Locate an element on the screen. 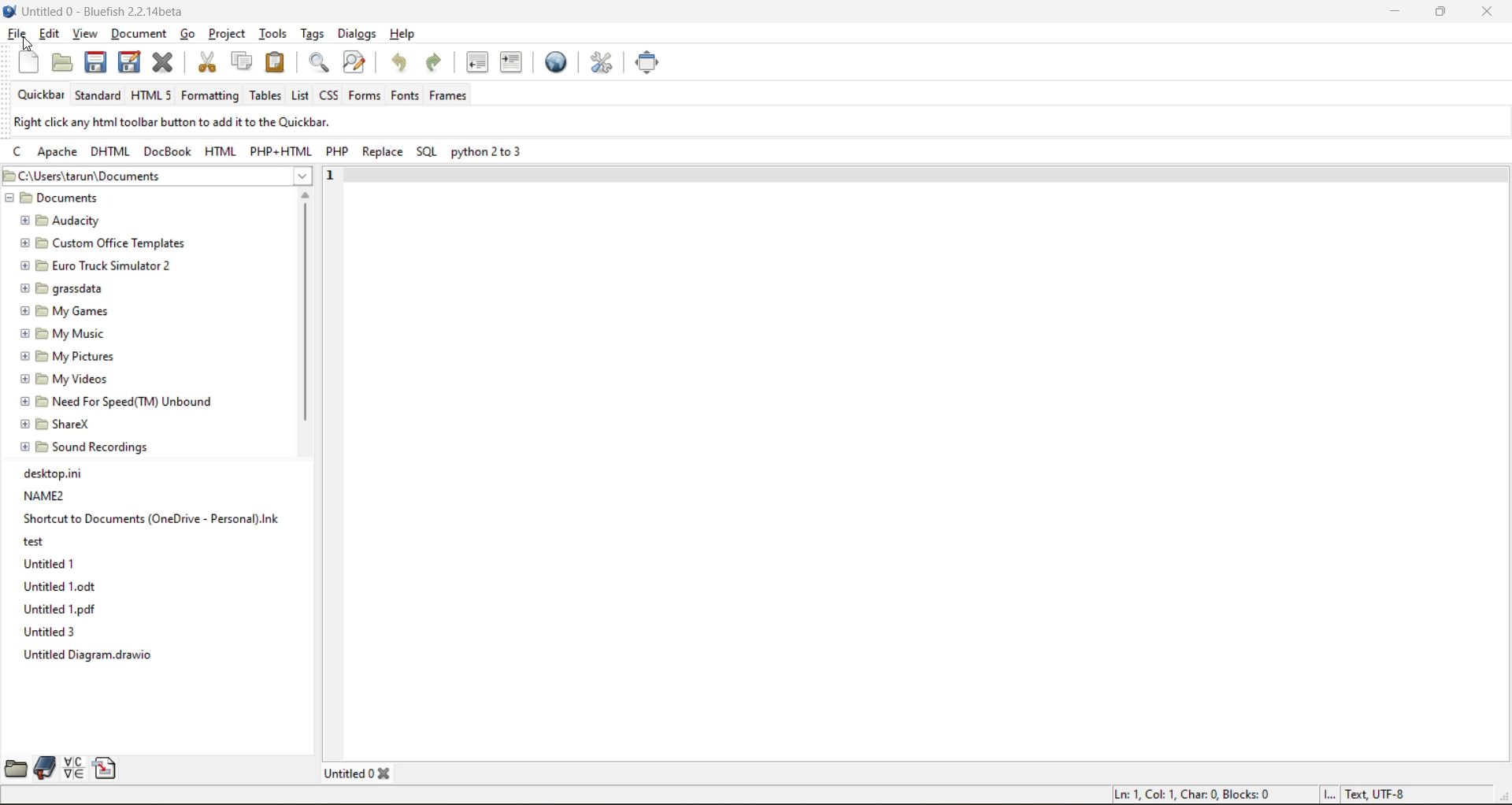 This screenshot has width=1512, height=805. close file is located at coordinates (168, 62).